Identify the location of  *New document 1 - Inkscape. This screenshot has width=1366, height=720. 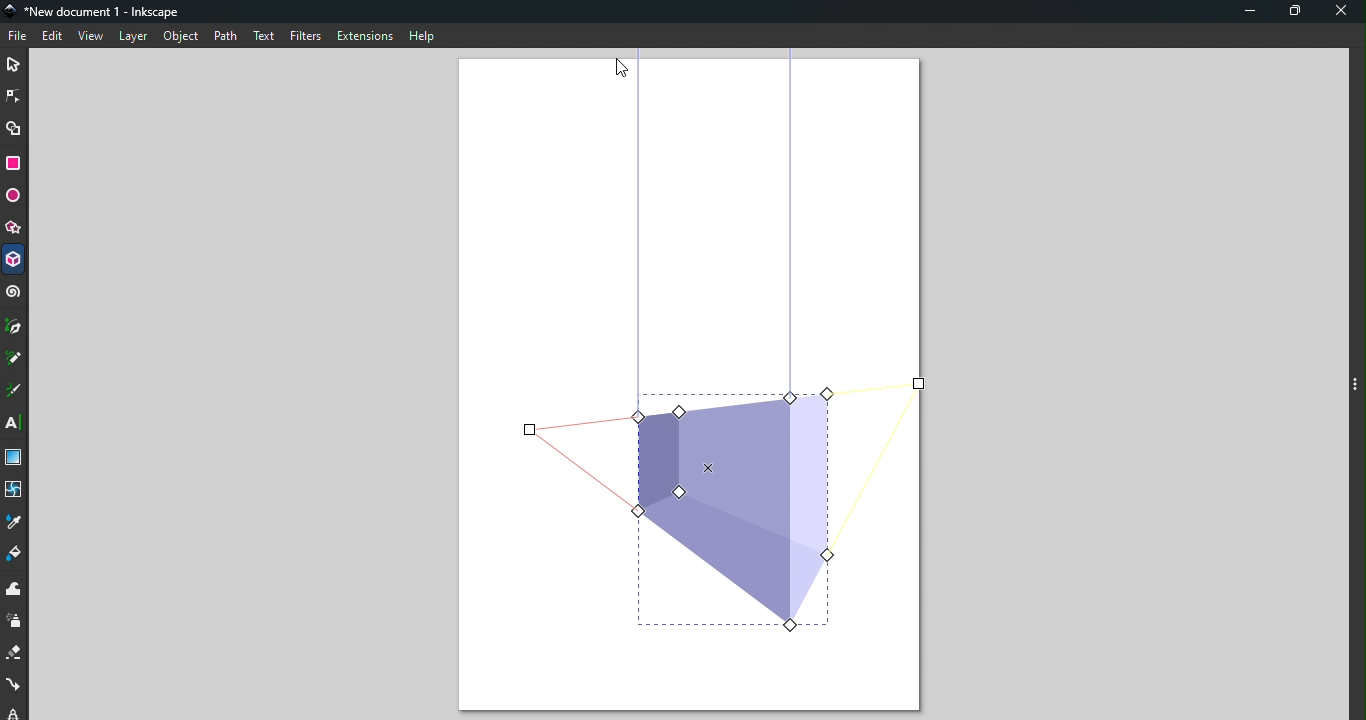
(96, 13).